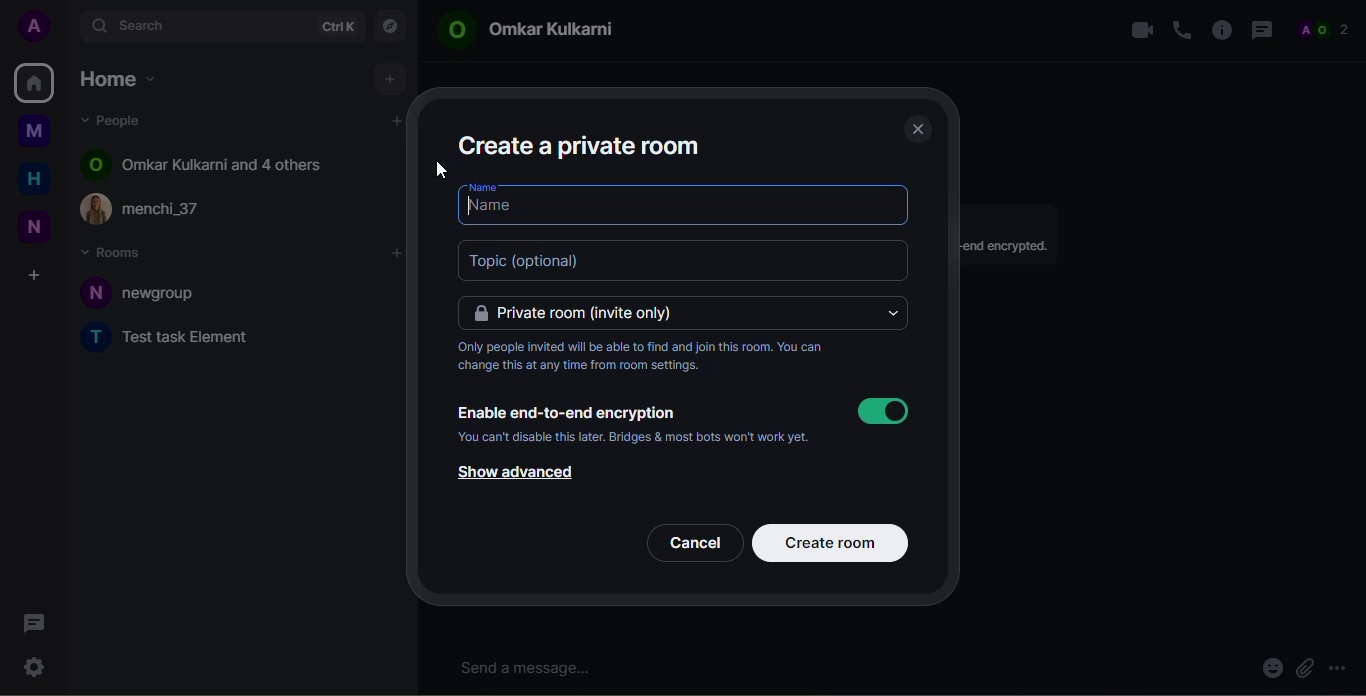 This screenshot has width=1366, height=696. I want to click on more, so click(1343, 668).